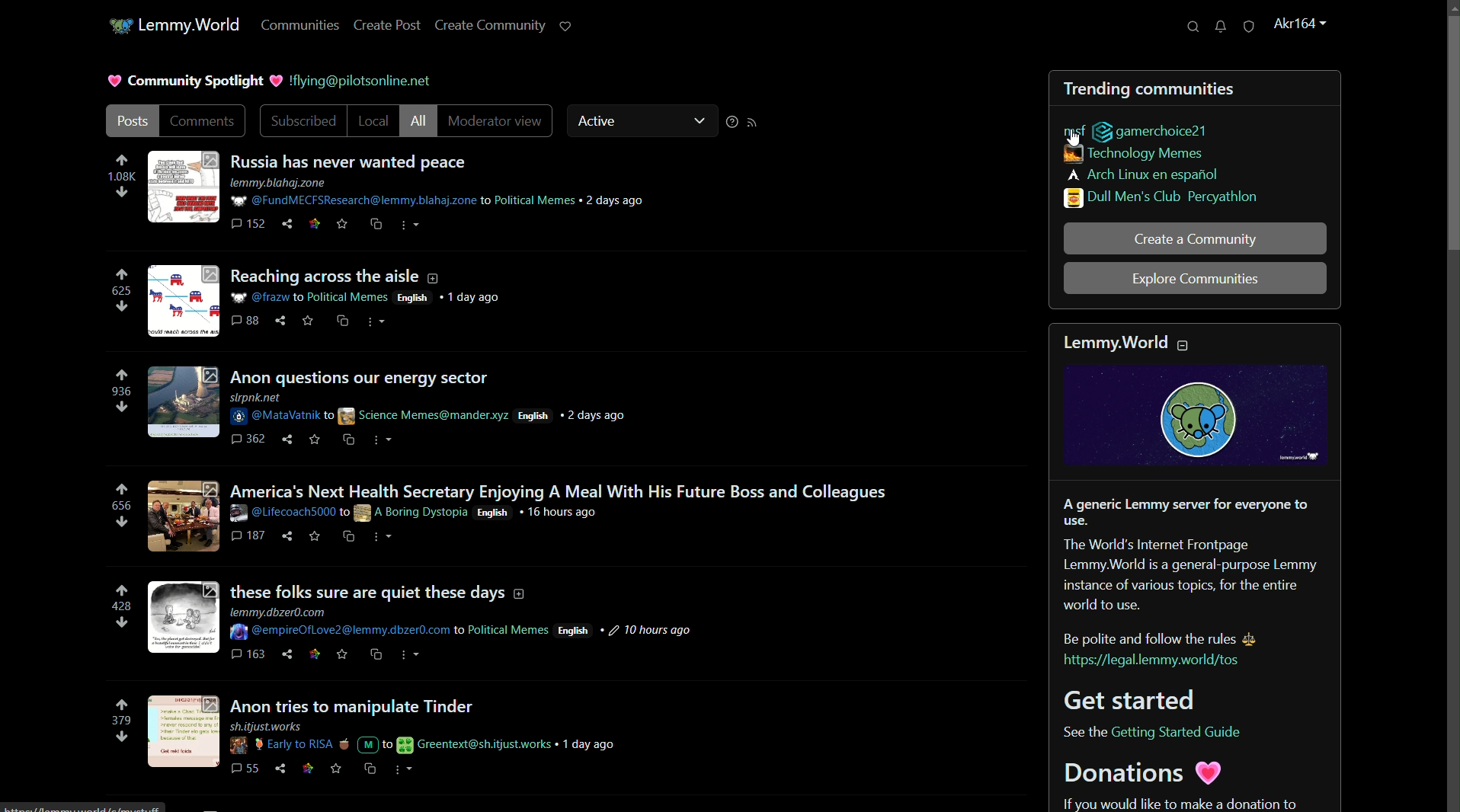  What do you see at coordinates (1163, 199) in the screenshot?
I see `community name 4` at bounding box center [1163, 199].